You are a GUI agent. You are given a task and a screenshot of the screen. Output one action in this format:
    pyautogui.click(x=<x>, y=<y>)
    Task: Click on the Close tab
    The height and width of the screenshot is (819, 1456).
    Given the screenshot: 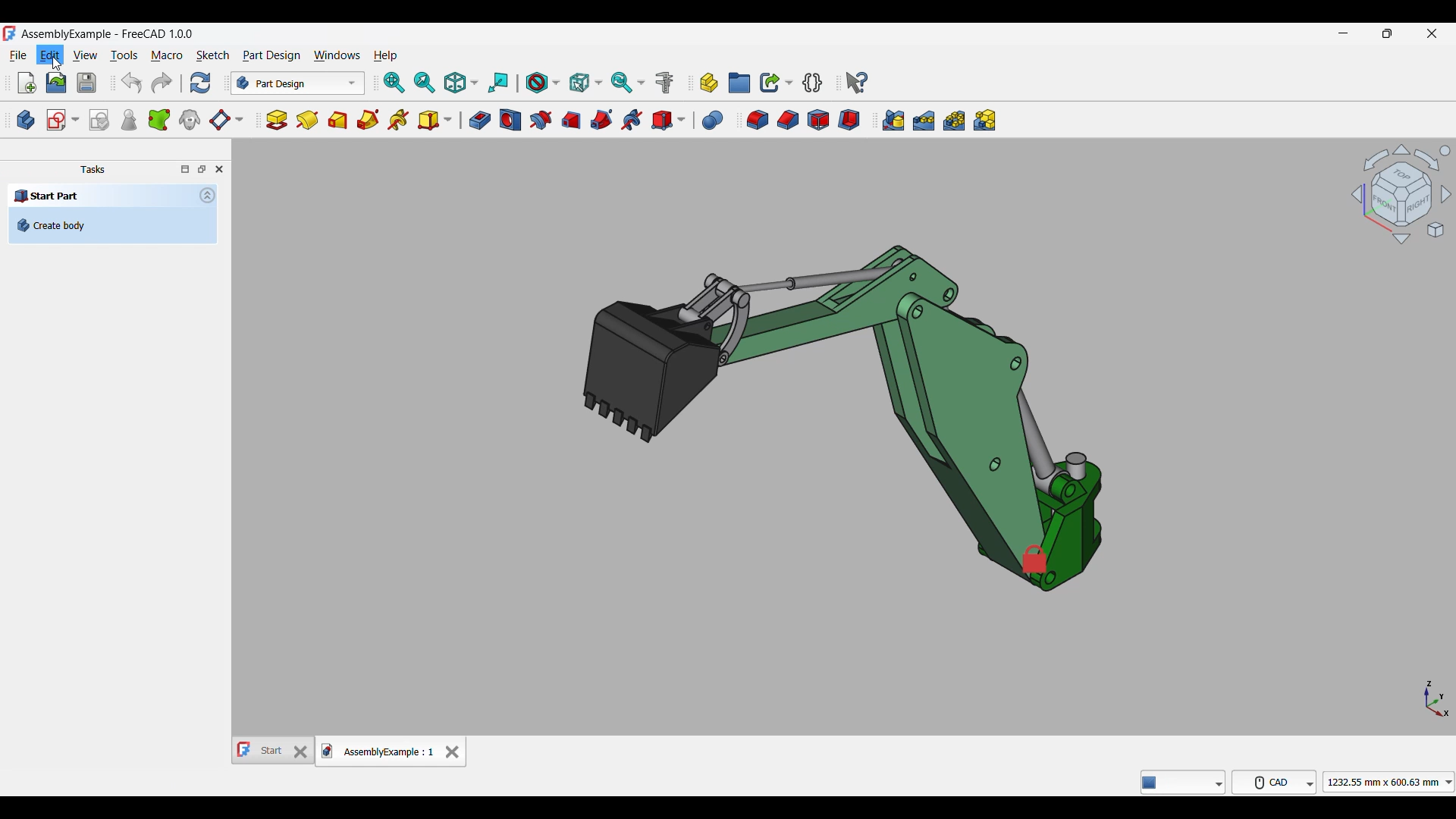 What is the action you would take?
    pyautogui.click(x=453, y=752)
    